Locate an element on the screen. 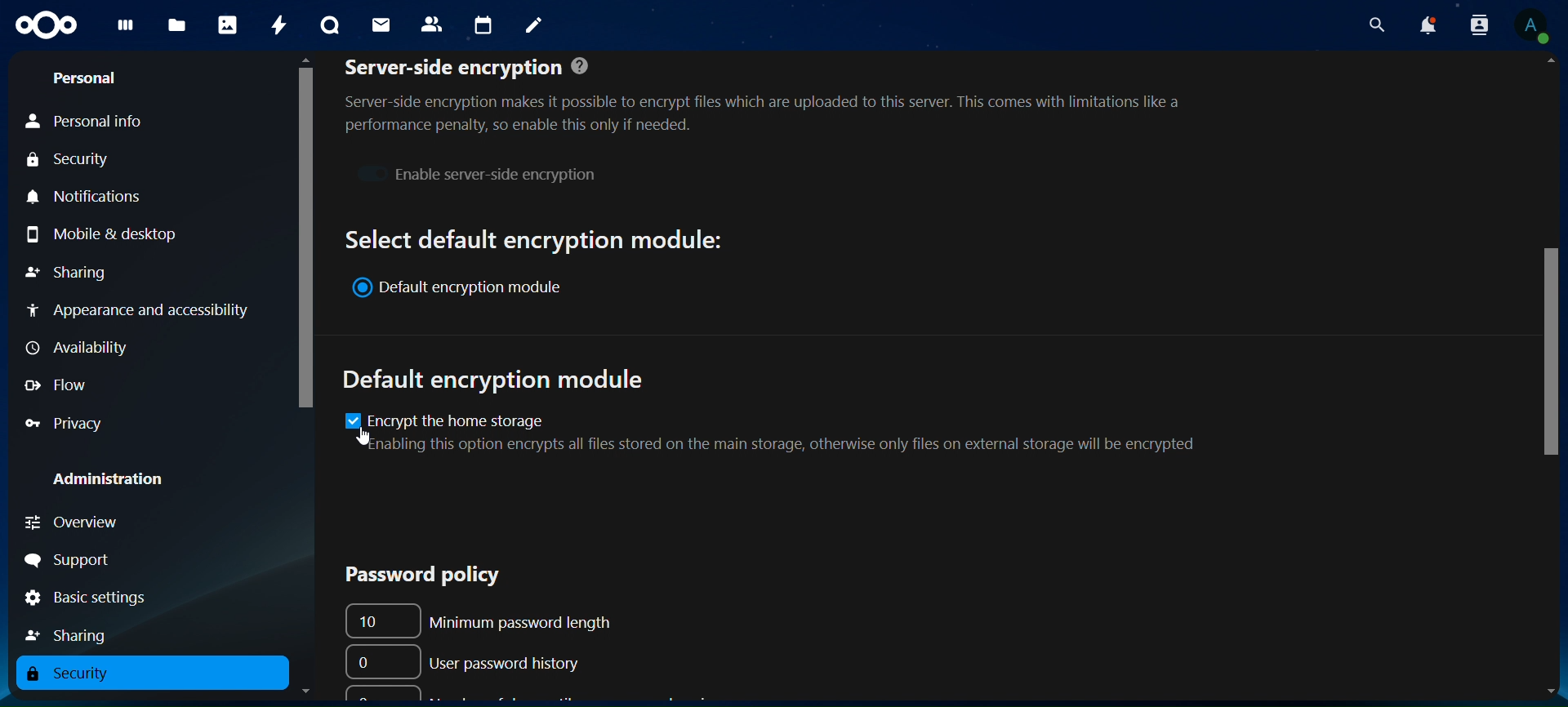 This screenshot has width=1568, height=707. default encrypton module is located at coordinates (467, 289).